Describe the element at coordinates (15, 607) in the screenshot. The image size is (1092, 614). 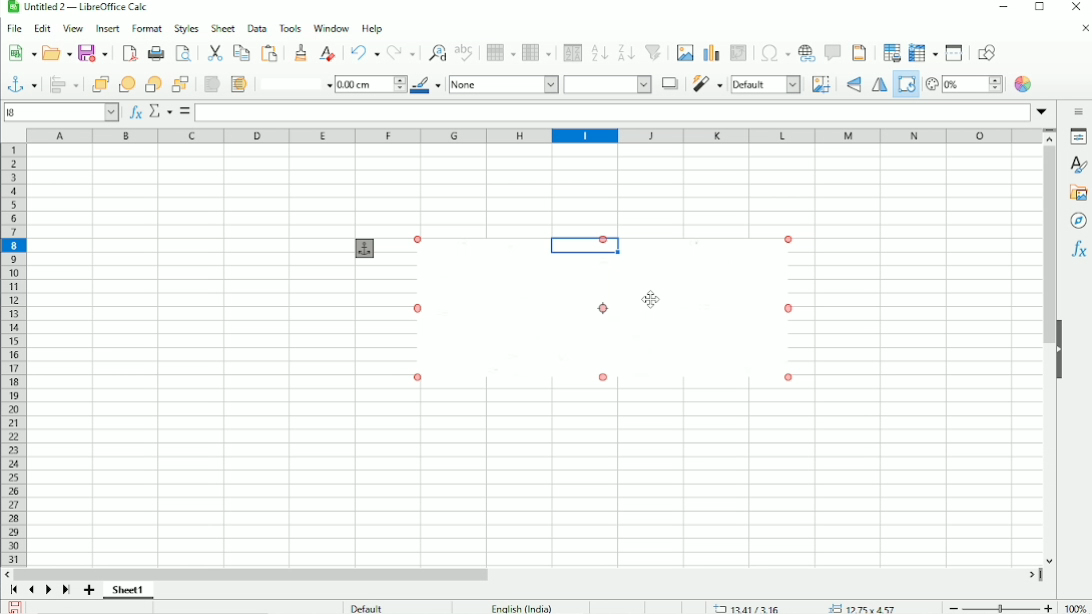
I see `Save` at that location.